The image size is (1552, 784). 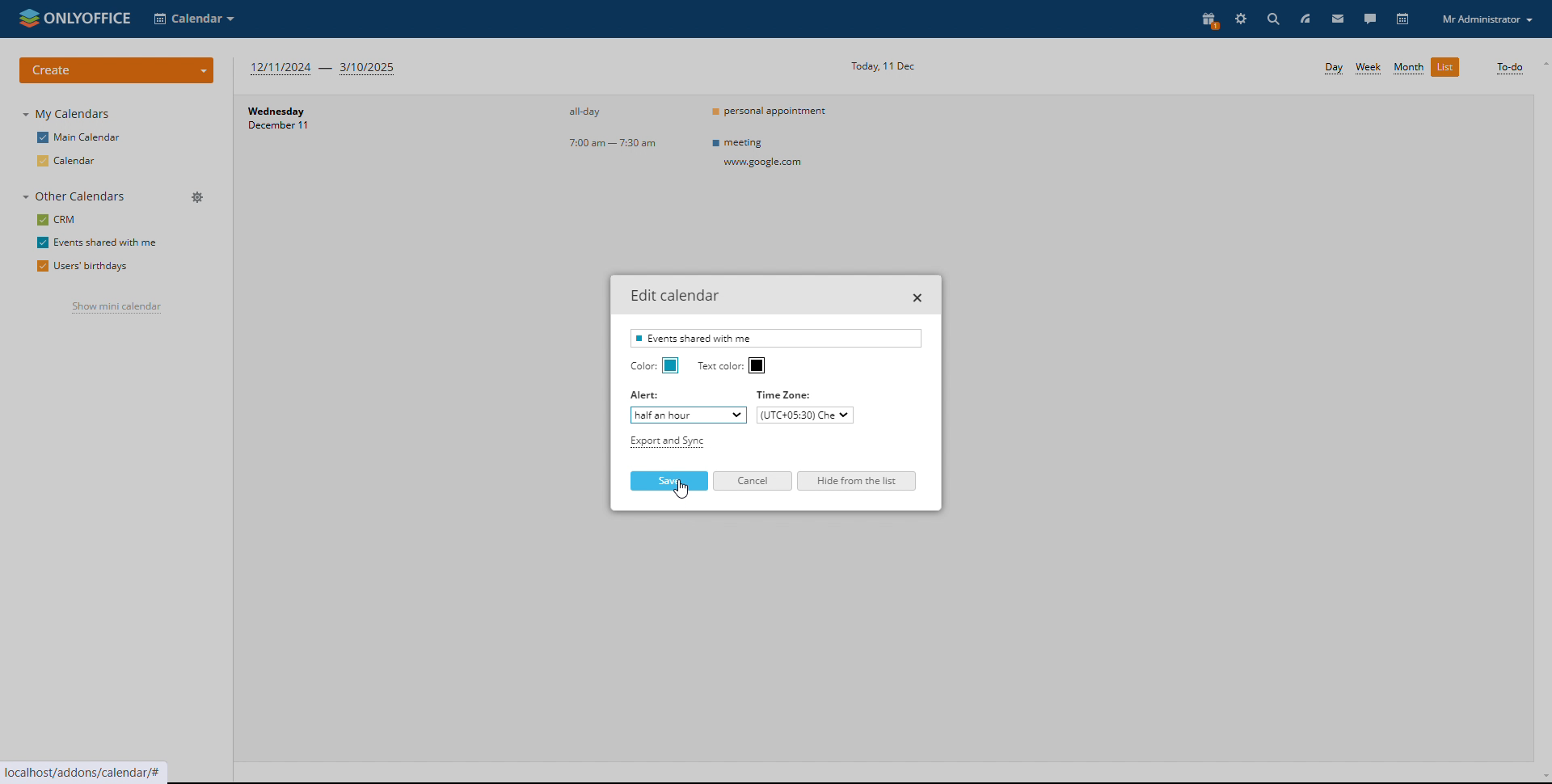 I want to click on calednar name, so click(x=776, y=338).